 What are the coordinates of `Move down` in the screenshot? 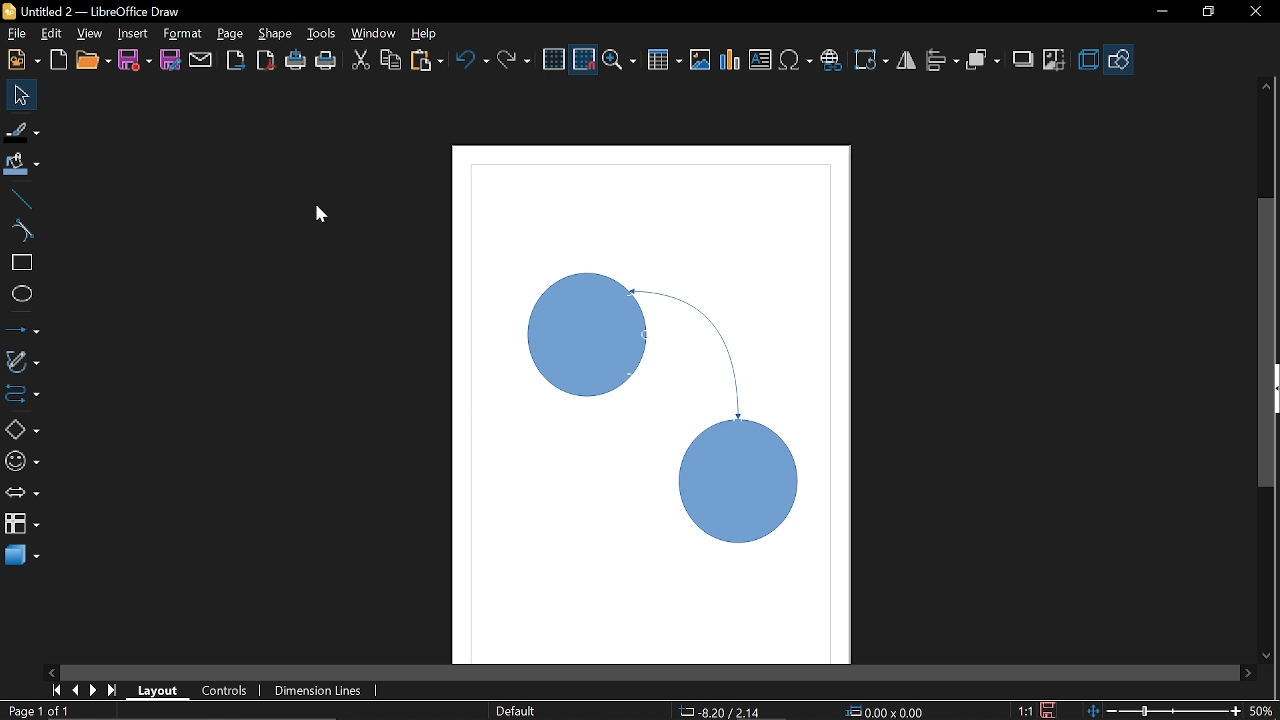 It's located at (1270, 659).